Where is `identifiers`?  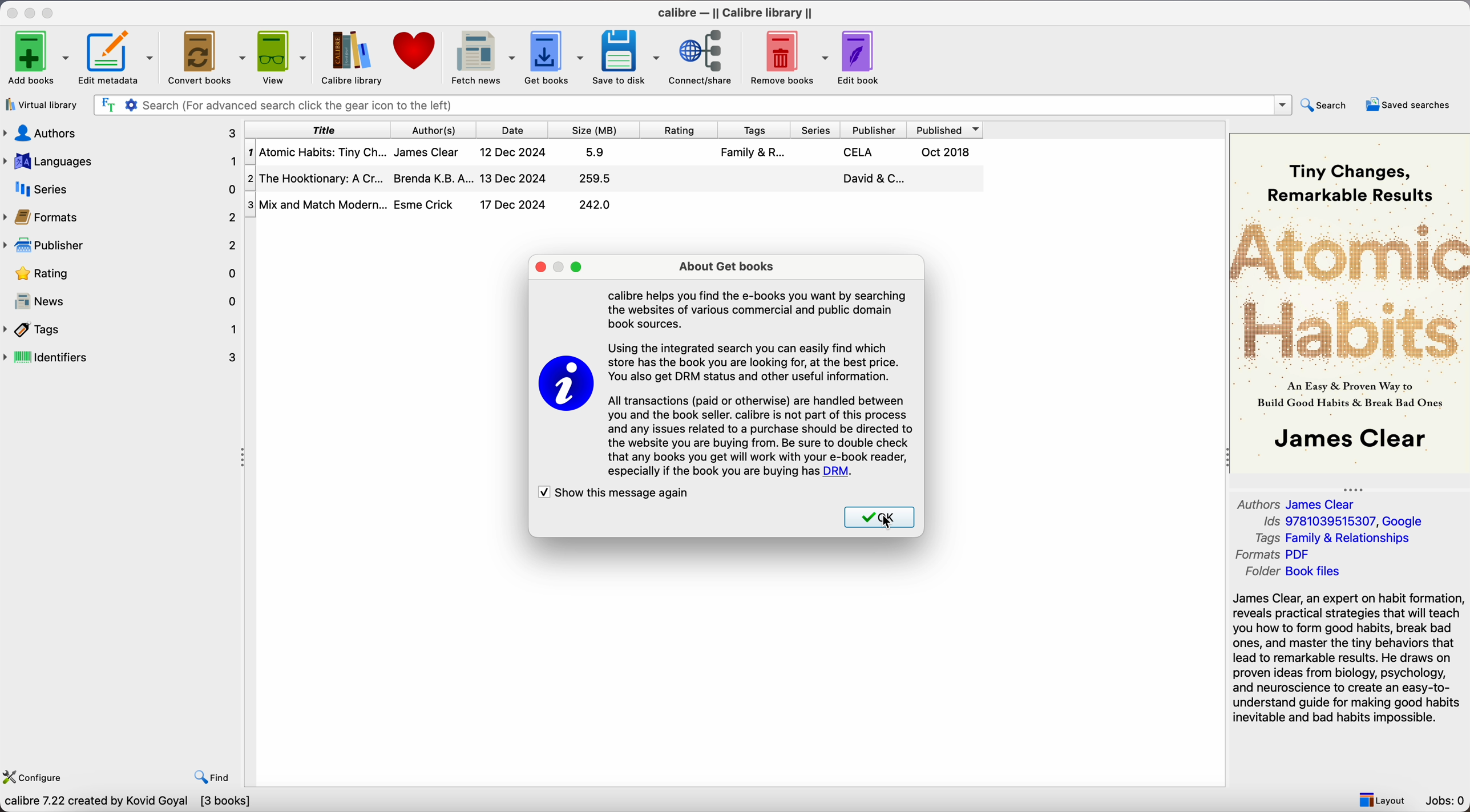
identifiers is located at coordinates (126, 356).